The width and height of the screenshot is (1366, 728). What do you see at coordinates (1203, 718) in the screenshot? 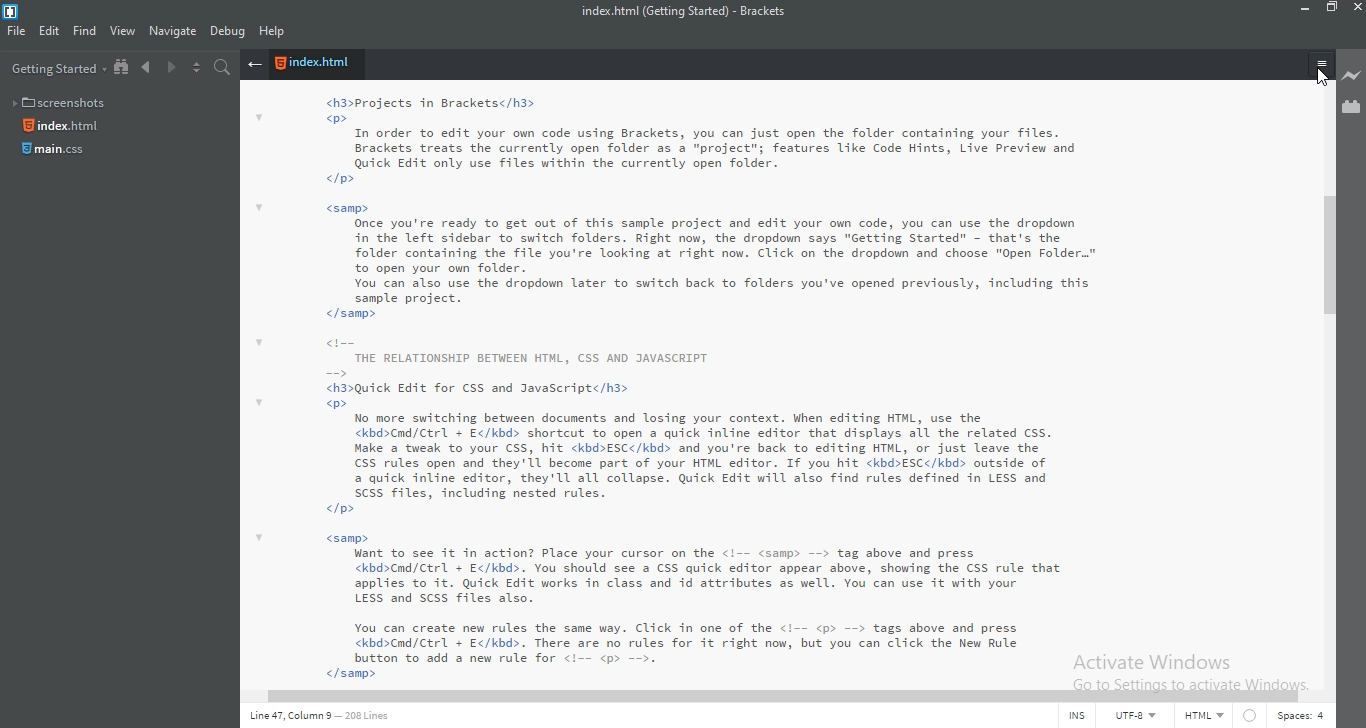
I see `HTML` at bounding box center [1203, 718].